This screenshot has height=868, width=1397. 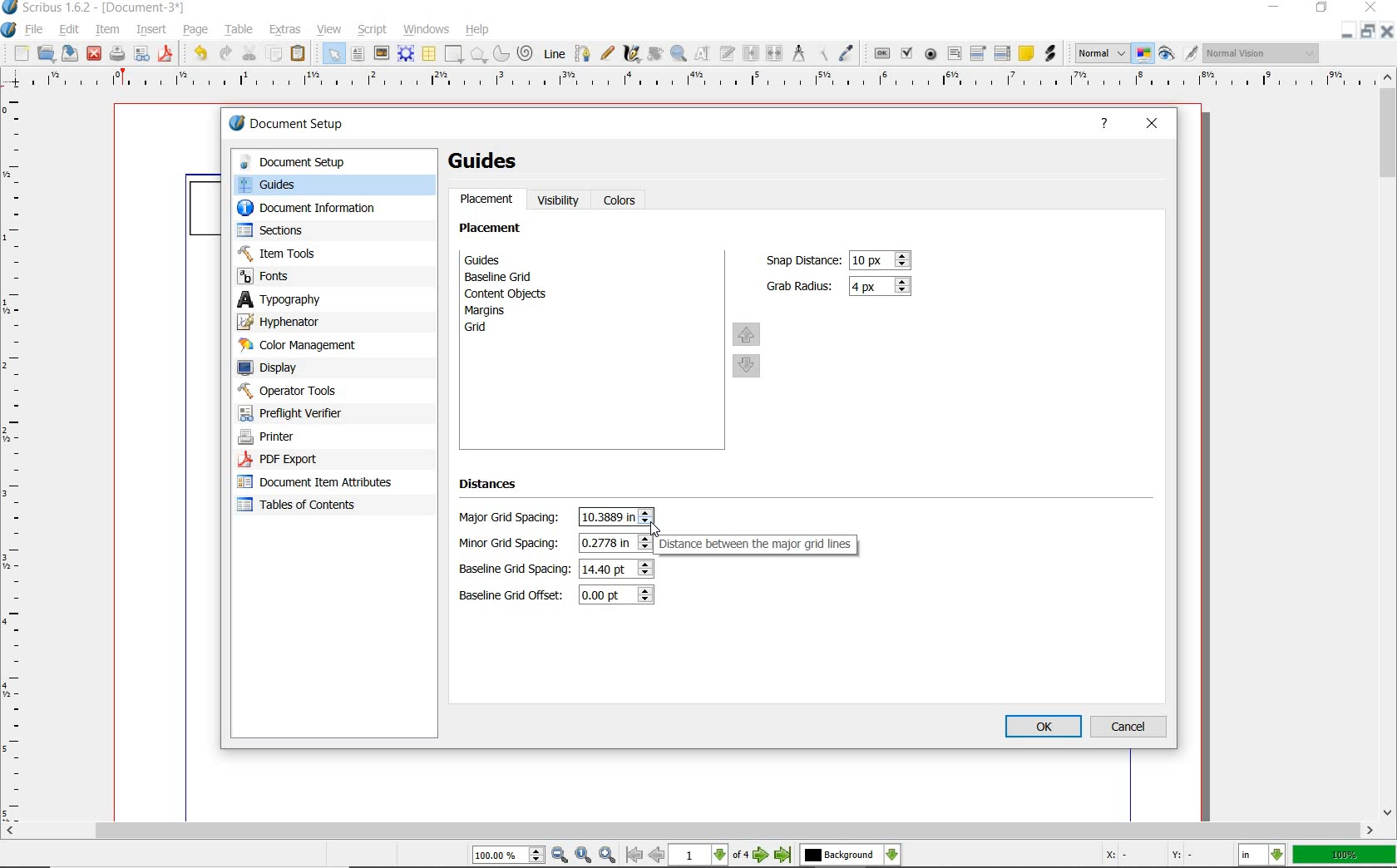 What do you see at coordinates (512, 259) in the screenshot?
I see `guides` at bounding box center [512, 259].